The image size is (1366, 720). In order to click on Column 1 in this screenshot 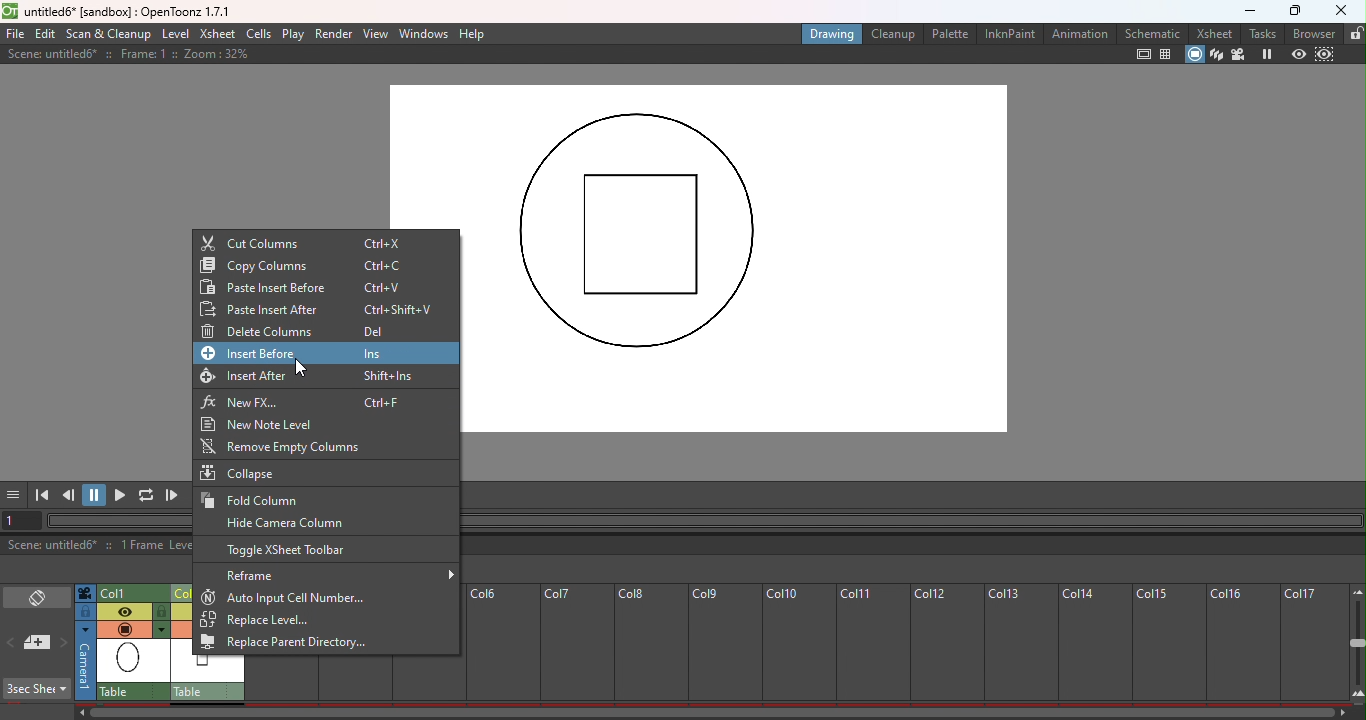, I will do `click(131, 592)`.